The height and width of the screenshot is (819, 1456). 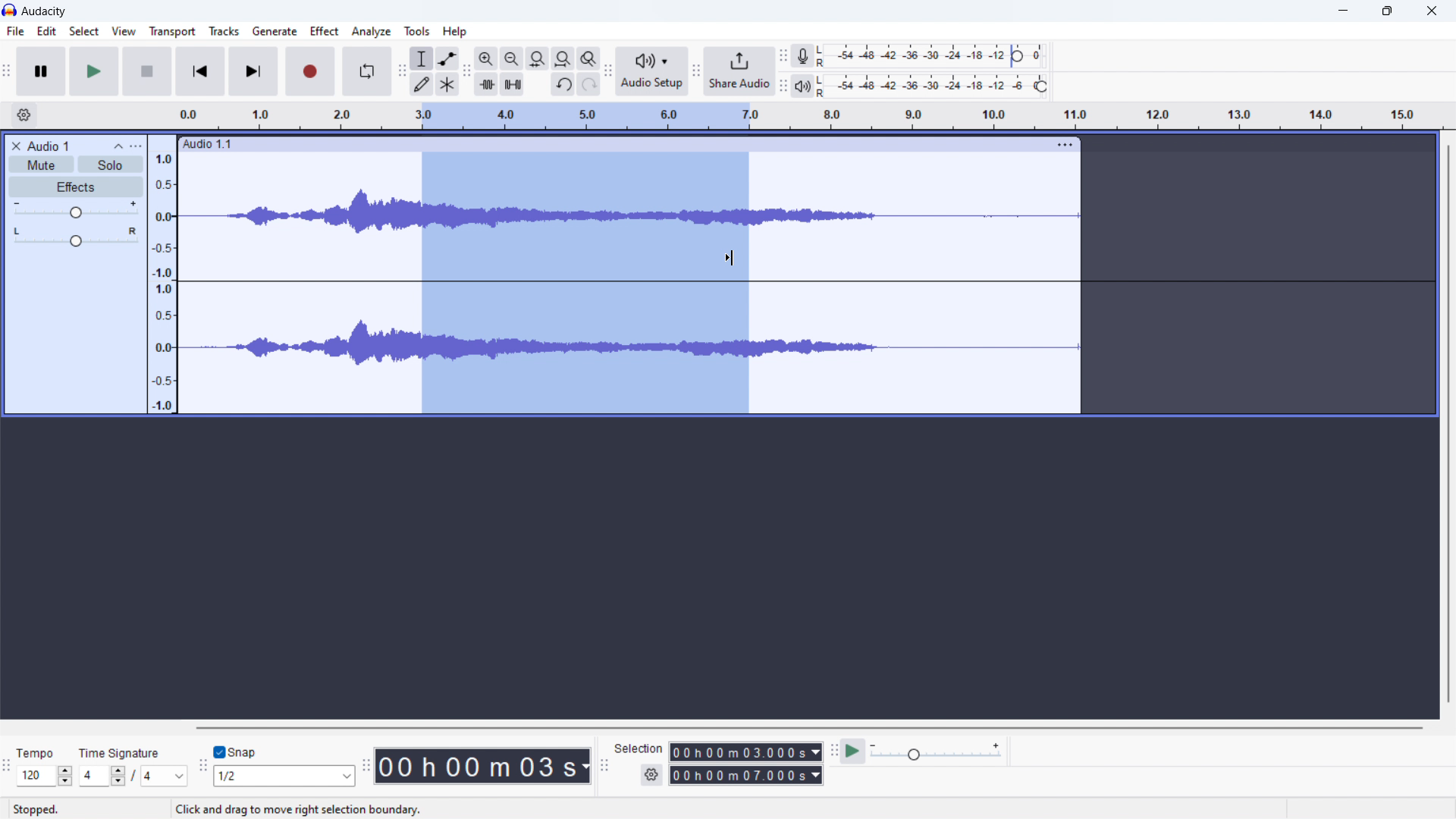 What do you see at coordinates (120, 753) in the screenshot?
I see `time signature` at bounding box center [120, 753].